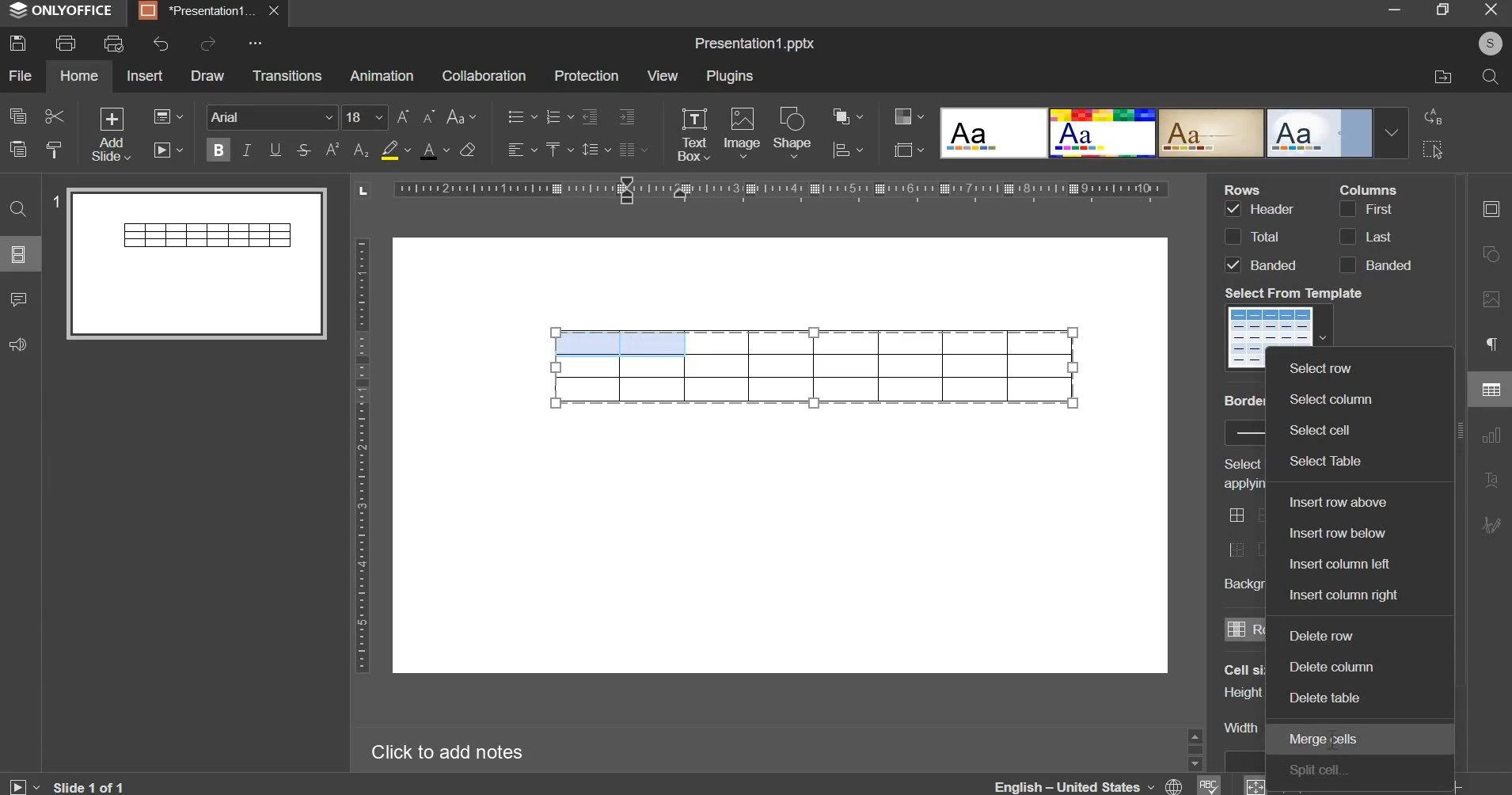  What do you see at coordinates (167, 116) in the screenshot?
I see `change layout` at bounding box center [167, 116].